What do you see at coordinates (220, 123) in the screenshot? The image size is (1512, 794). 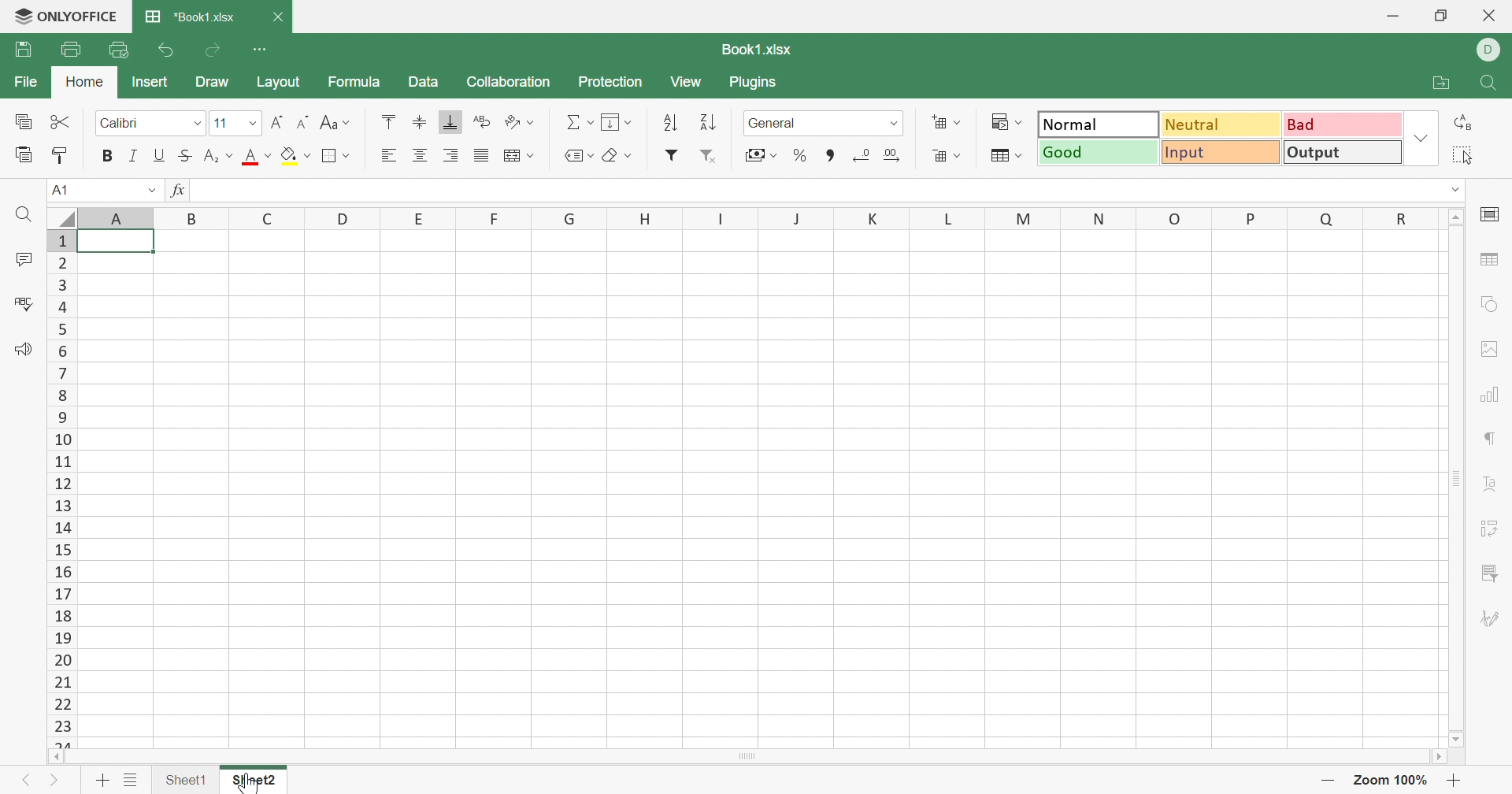 I see `11` at bounding box center [220, 123].